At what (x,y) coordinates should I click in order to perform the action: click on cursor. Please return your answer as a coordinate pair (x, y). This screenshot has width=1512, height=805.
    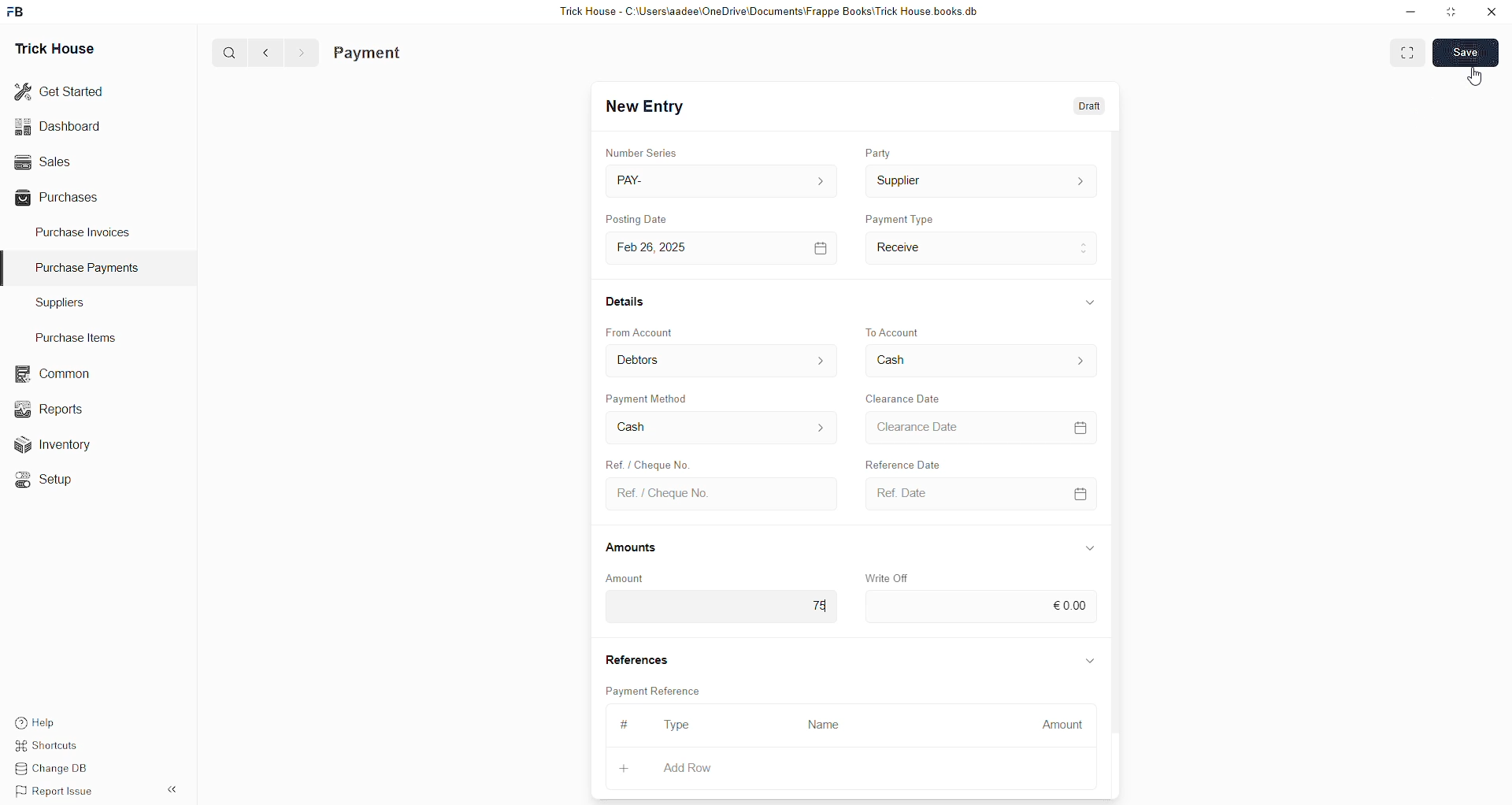
    Looking at the image, I should click on (1473, 79).